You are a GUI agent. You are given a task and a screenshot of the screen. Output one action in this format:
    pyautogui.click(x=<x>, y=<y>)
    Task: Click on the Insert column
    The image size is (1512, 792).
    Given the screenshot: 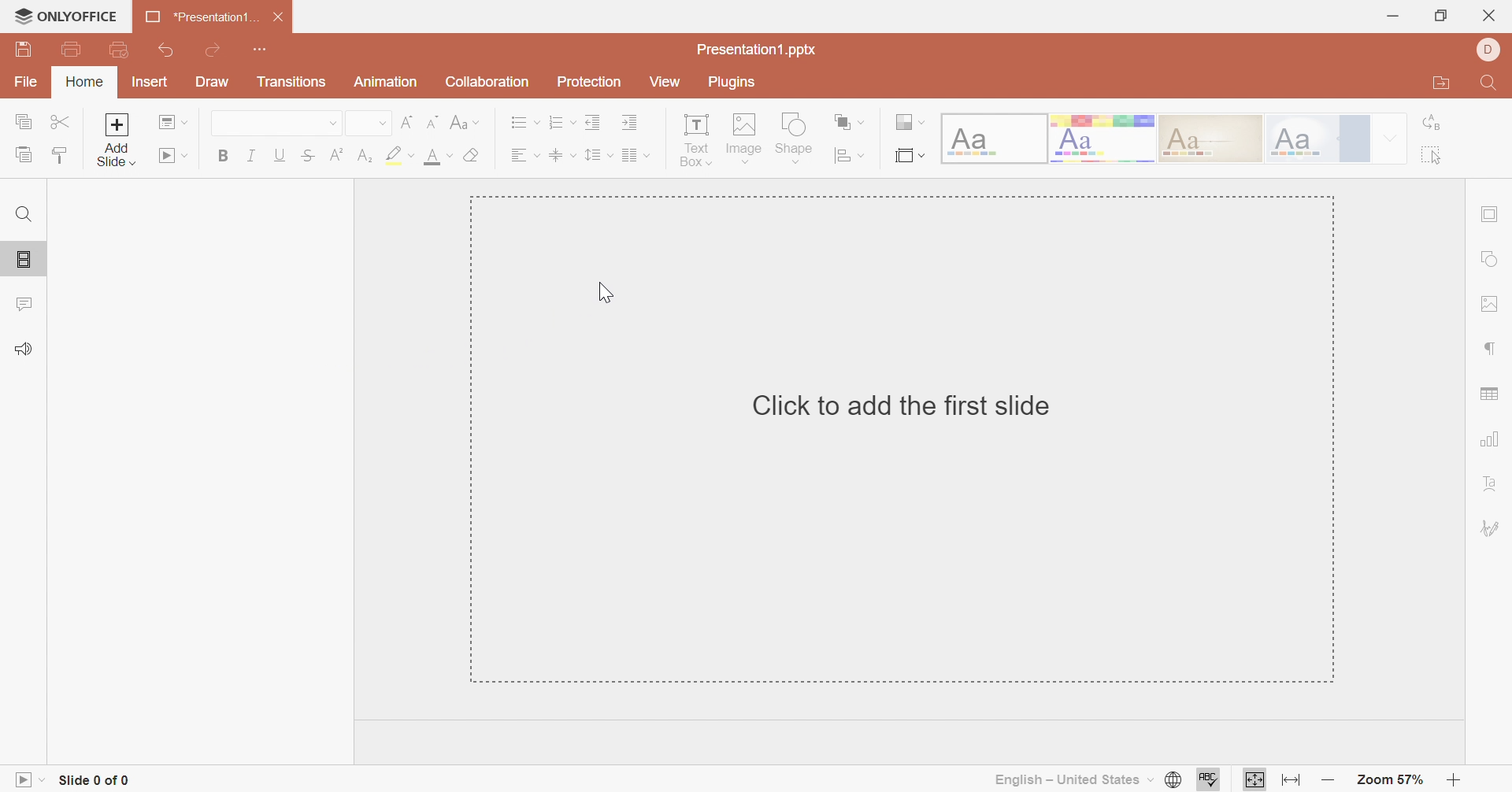 What is the action you would take?
    pyautogui.click(x=629, y=157)
    